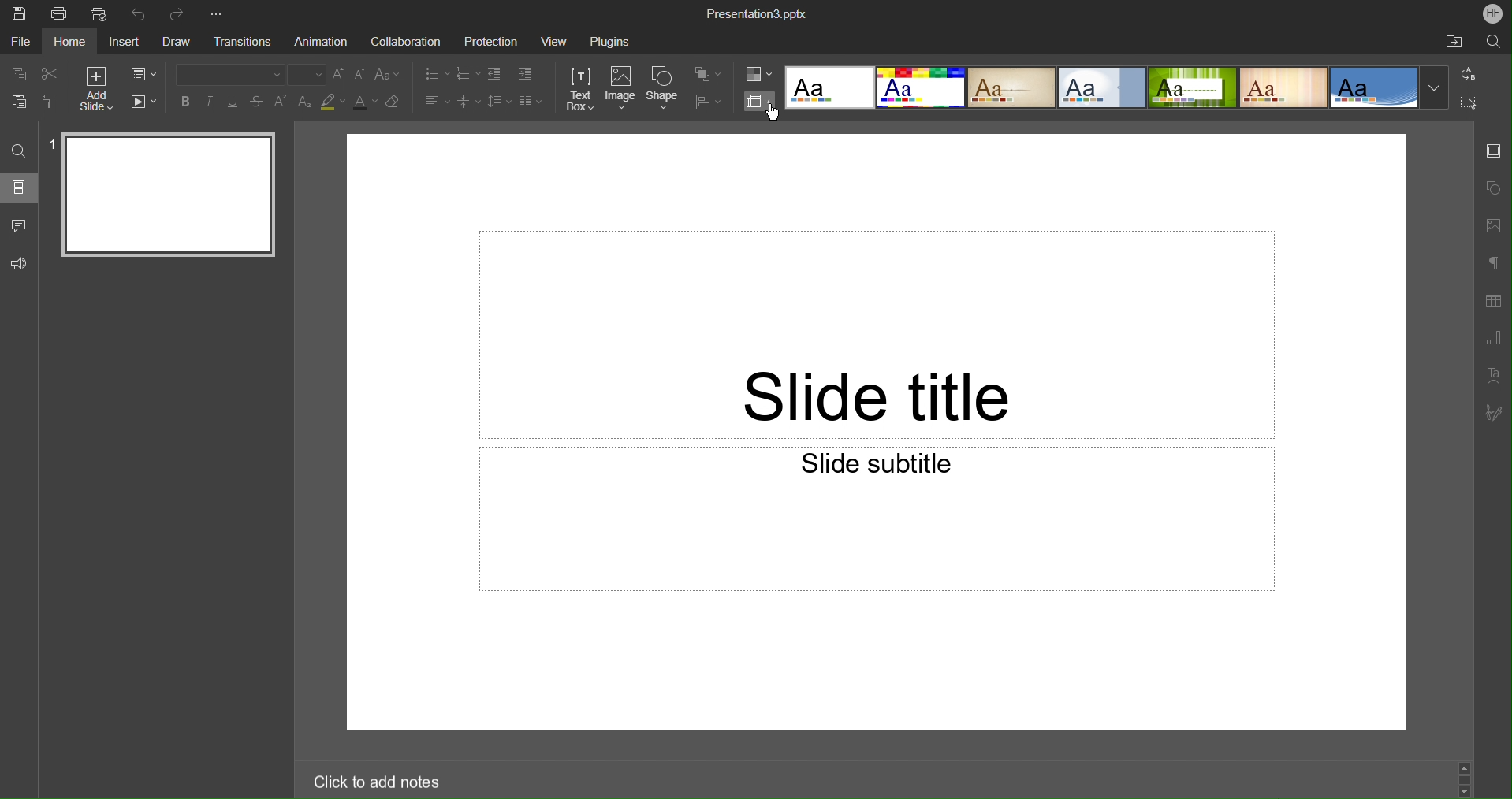 The width and height of the screenshot is (1512, 799). Describe the element at coordinates (235, 102) in the screenshot. I see `Underline` at that location.